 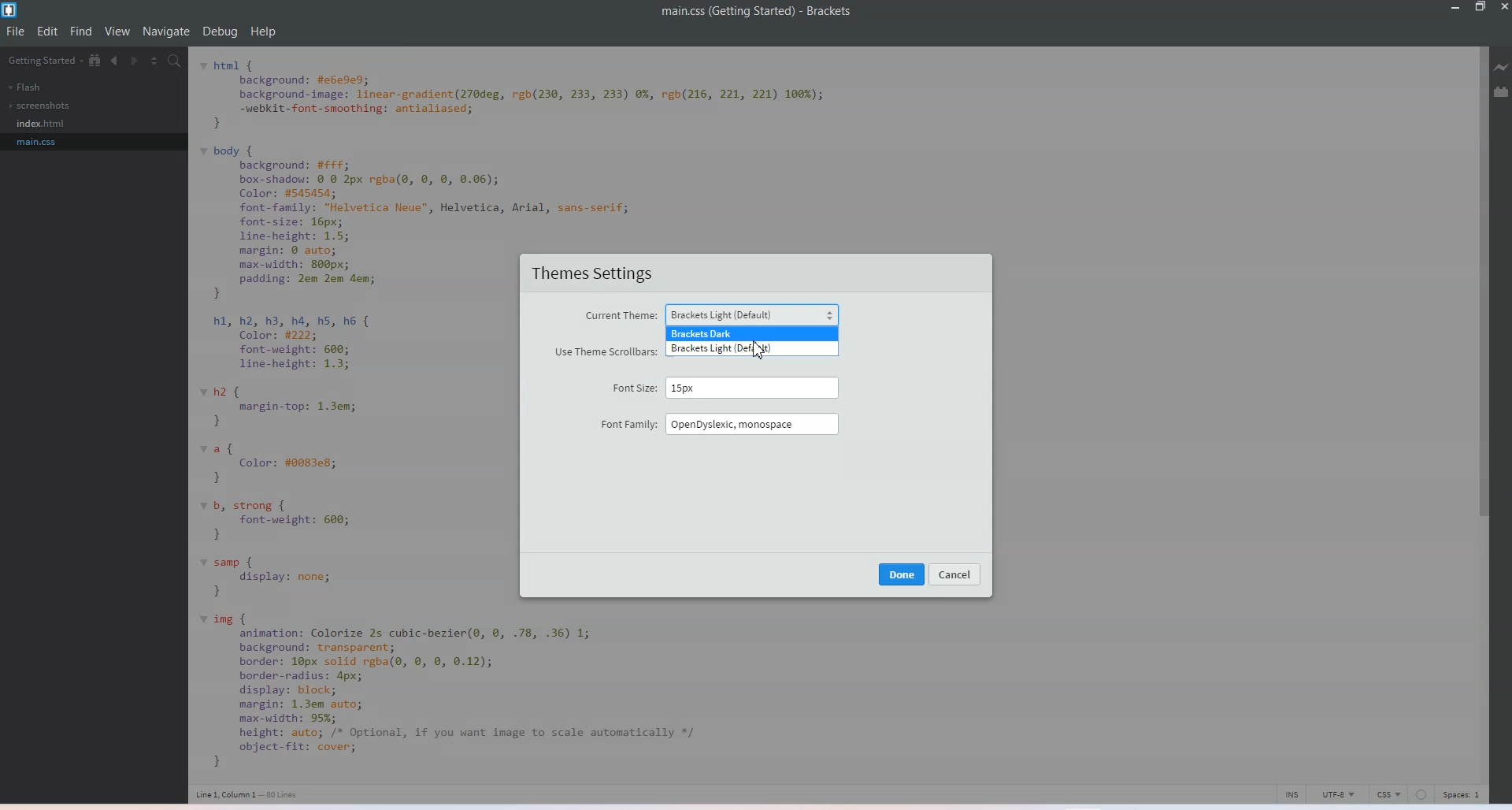 What do you see at coordinates (769, 12) in the screenshot?
I see `main.css(getting started) - Brackets` at bounding box center [769, 12].